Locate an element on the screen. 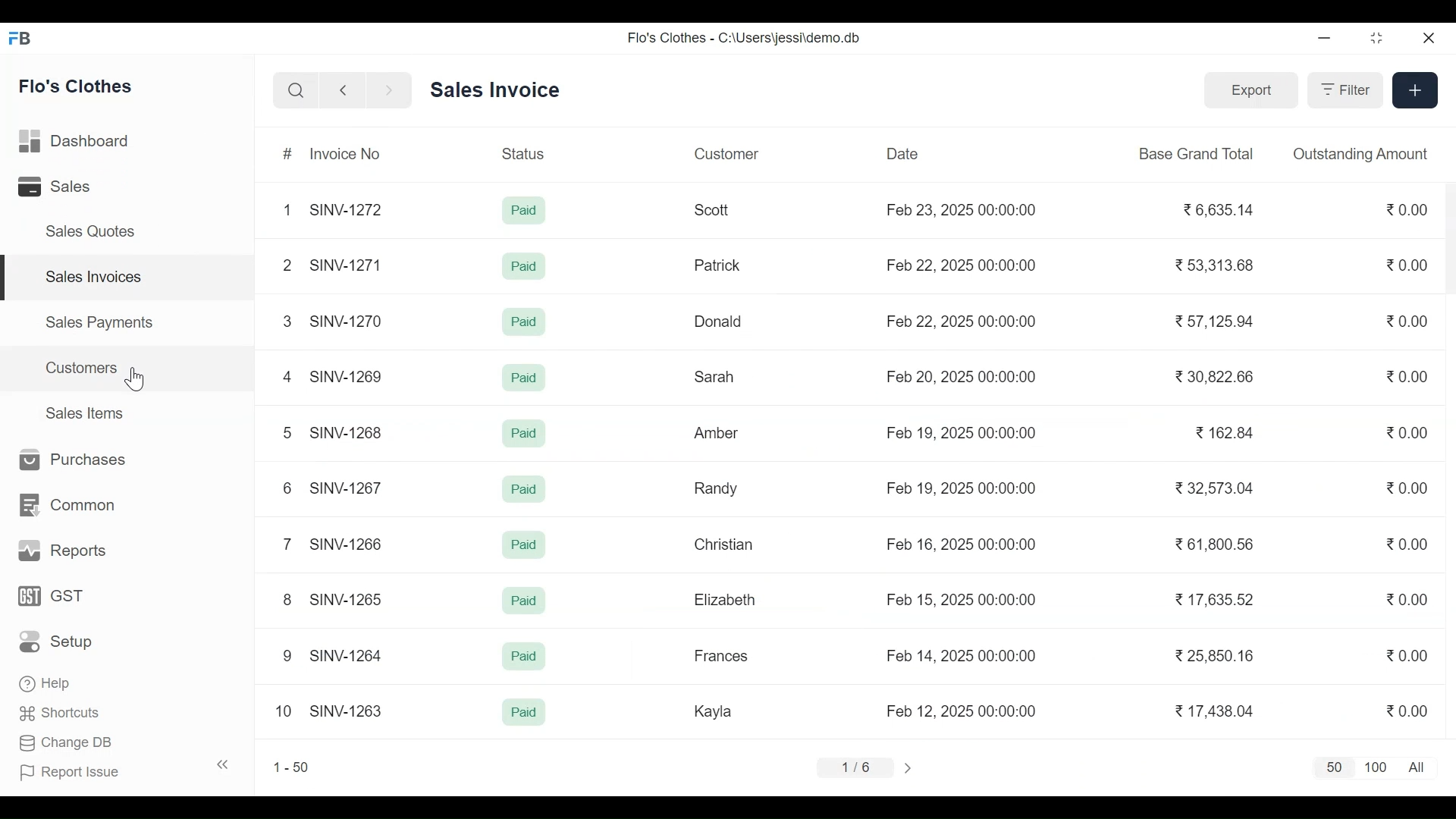 This screenshot has height=819, width=1456. Amber is located at coordinates (715, 434).